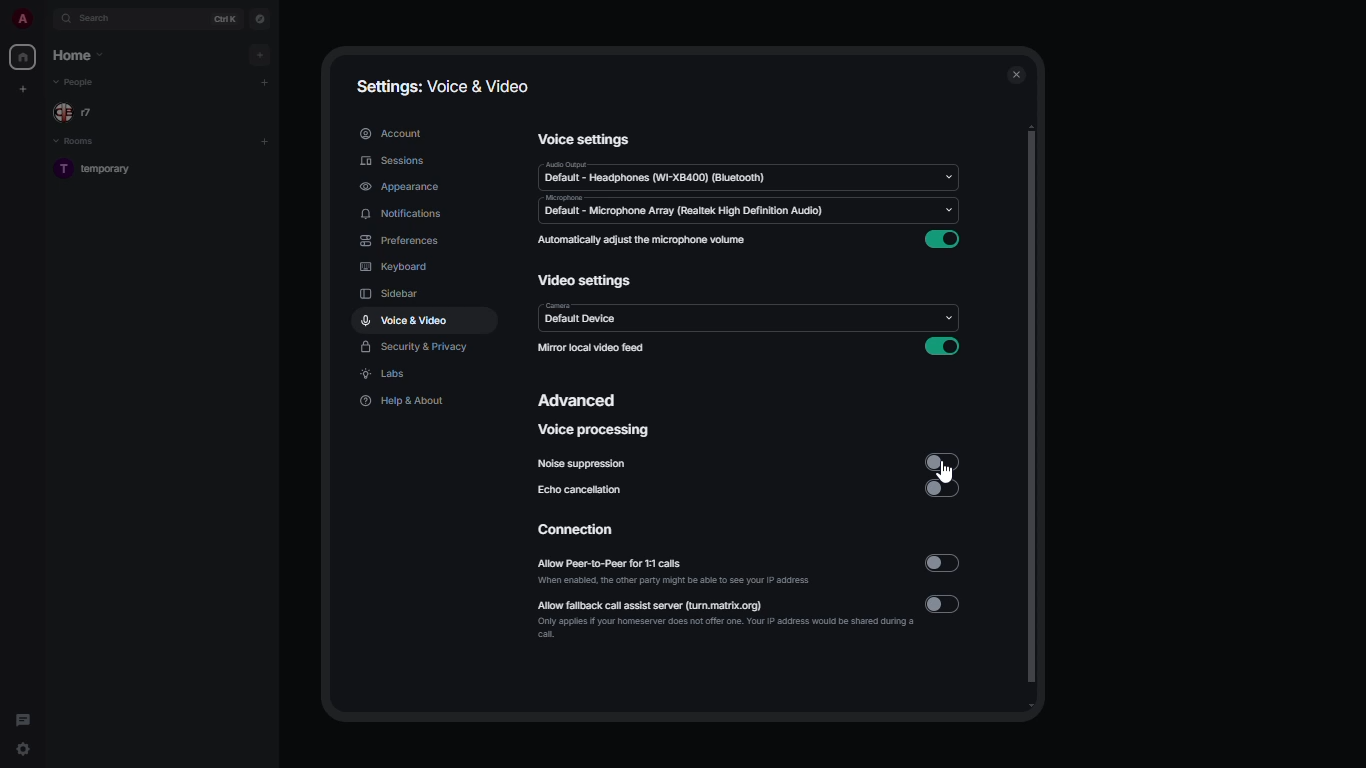  I want to click on connection, so click(574, 529).